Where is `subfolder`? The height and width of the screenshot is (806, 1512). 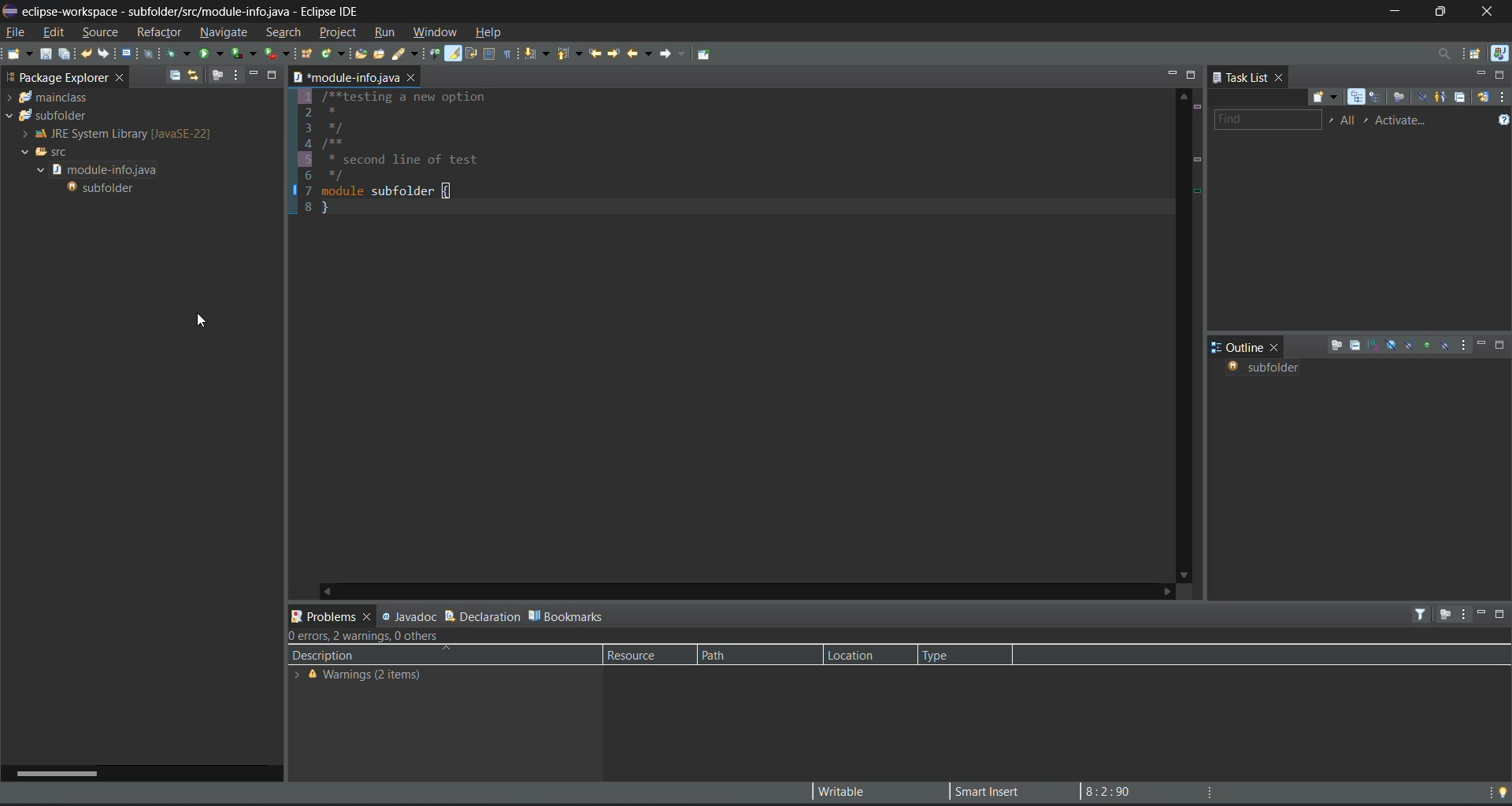
subfolder is located at coordinates (46, 117).